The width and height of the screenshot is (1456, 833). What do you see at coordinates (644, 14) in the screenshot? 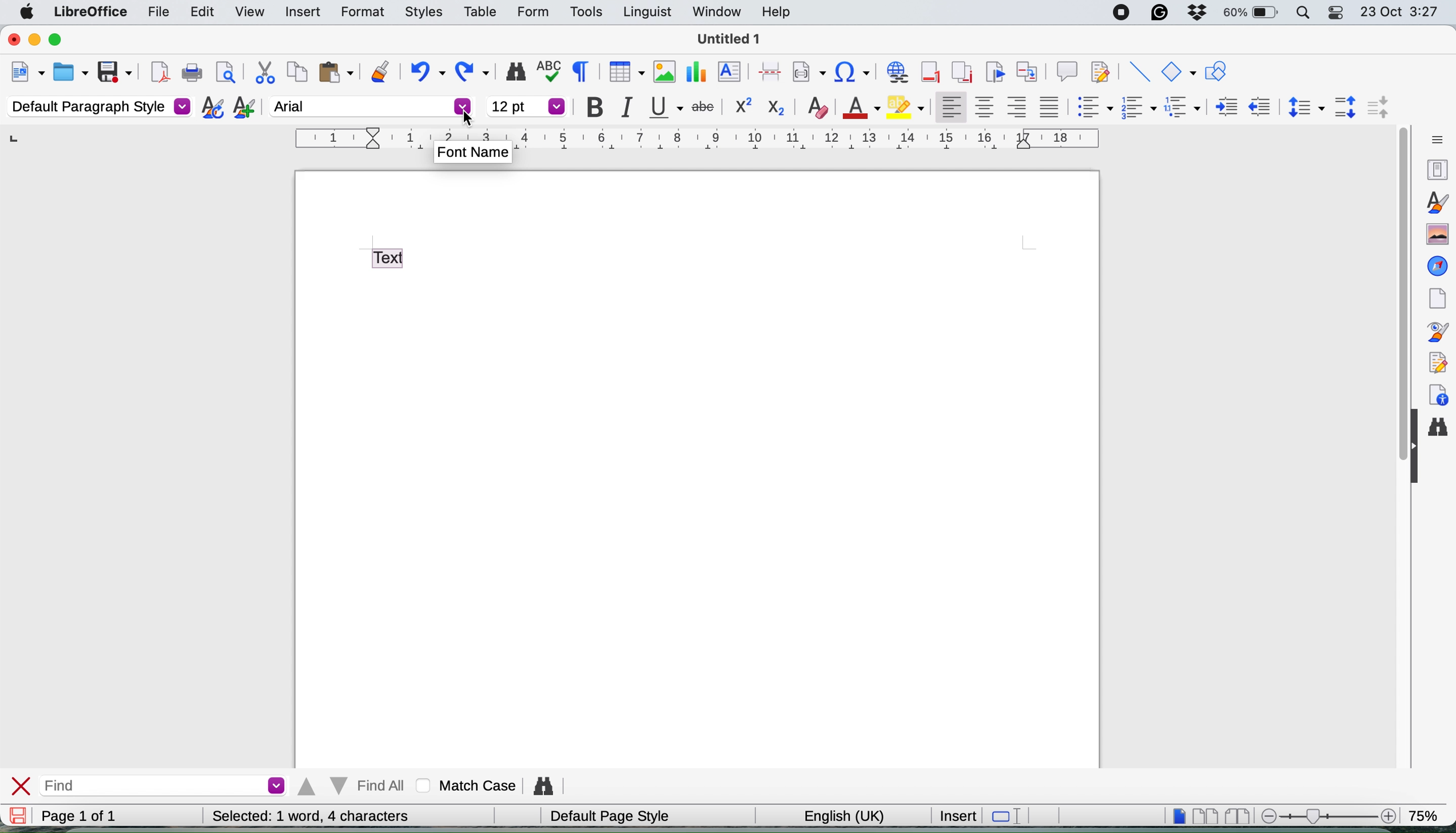
I see `linguist` at bounding box center [644, 14].